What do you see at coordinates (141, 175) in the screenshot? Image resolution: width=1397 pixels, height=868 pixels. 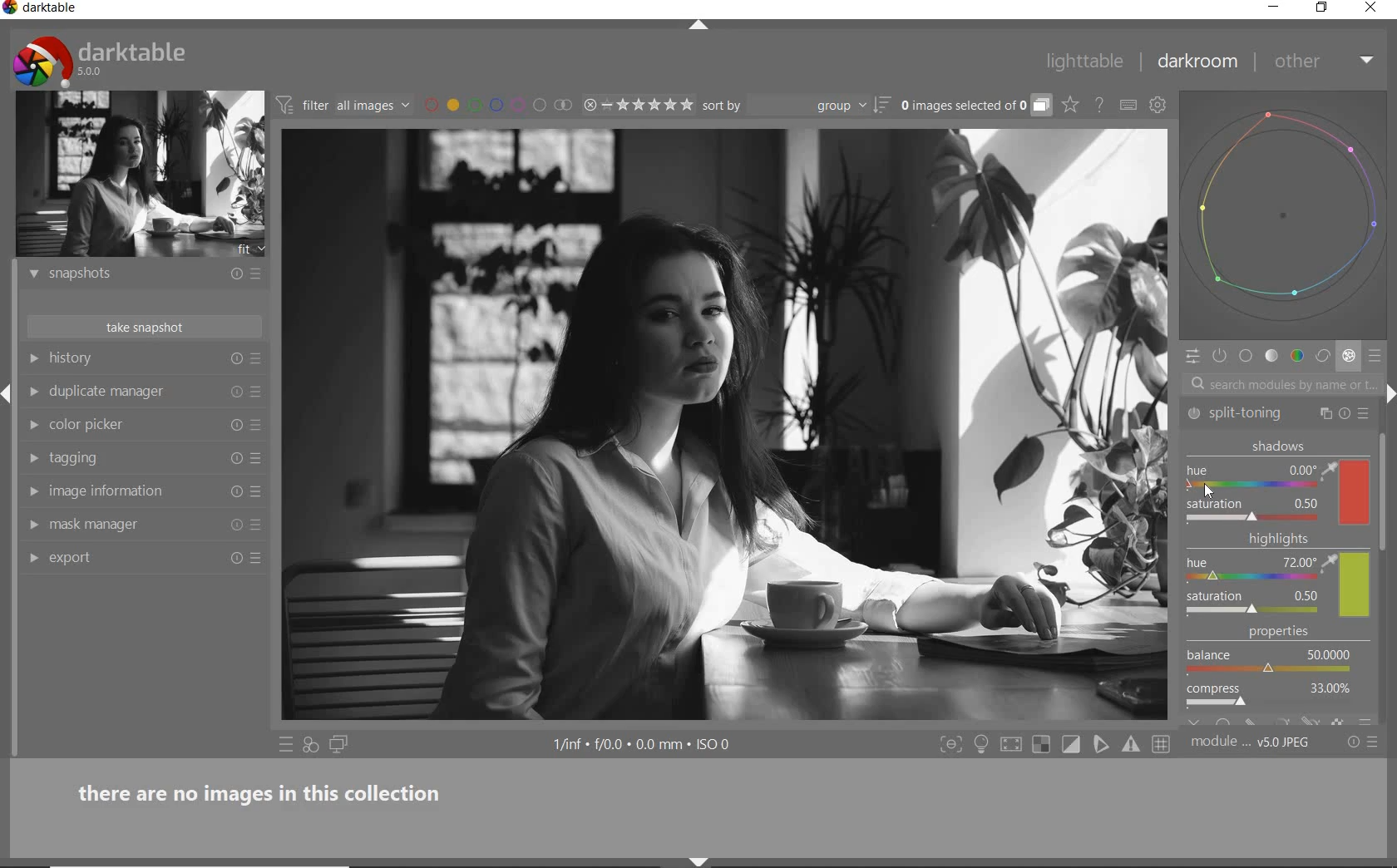 I see `image preview` at bounding box center [141, 175].